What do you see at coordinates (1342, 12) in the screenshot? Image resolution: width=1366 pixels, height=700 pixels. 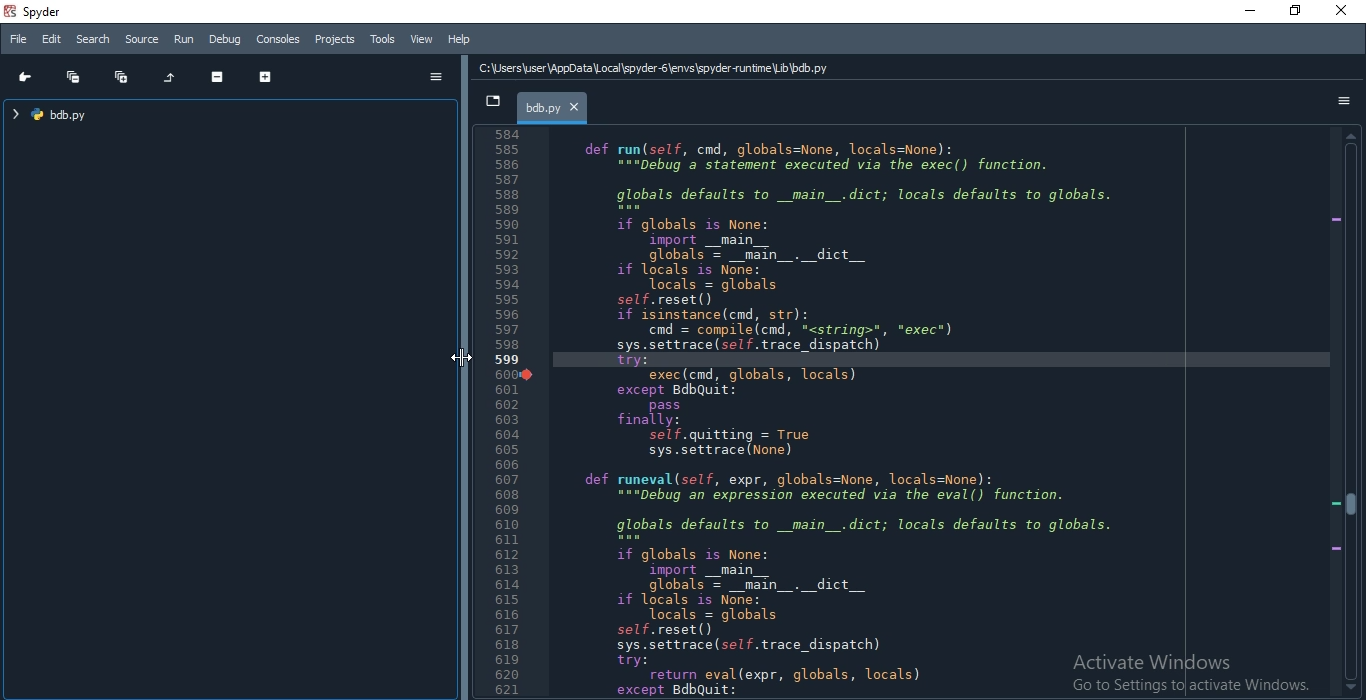 I see `close` at bounding box center [1342, 12].